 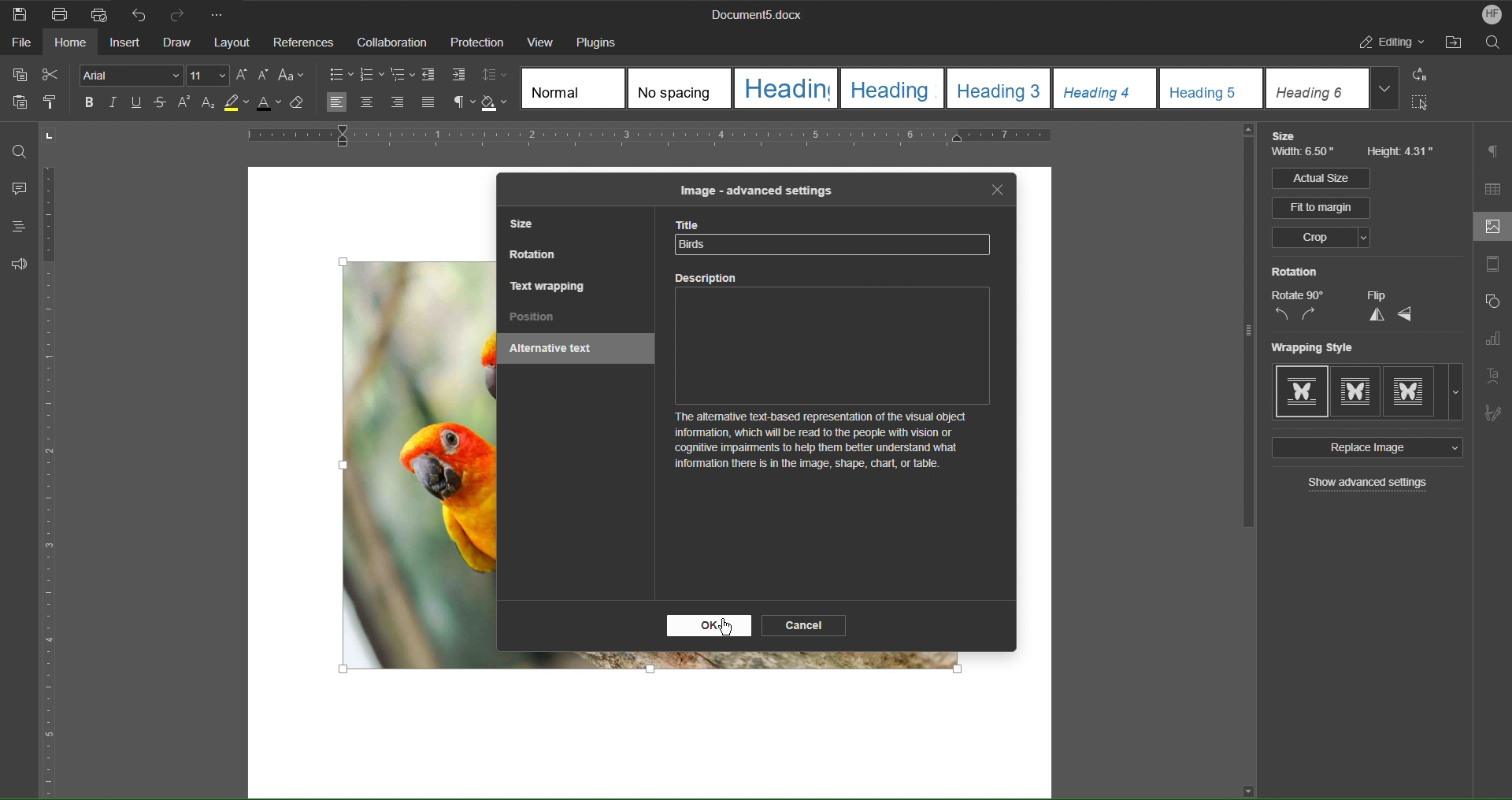 What do you see at coordinates (458, 103) in the screenshot?
I see `Non-Printing Characters` at bounding box center [458, 103].